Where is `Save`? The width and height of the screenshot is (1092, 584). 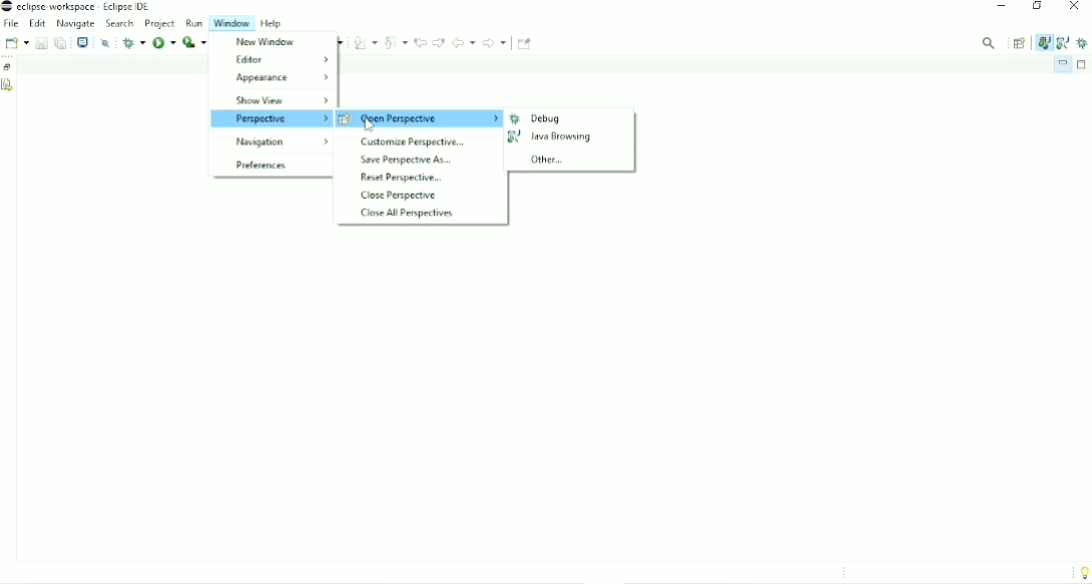 Save is located at coordinates (40, 43).